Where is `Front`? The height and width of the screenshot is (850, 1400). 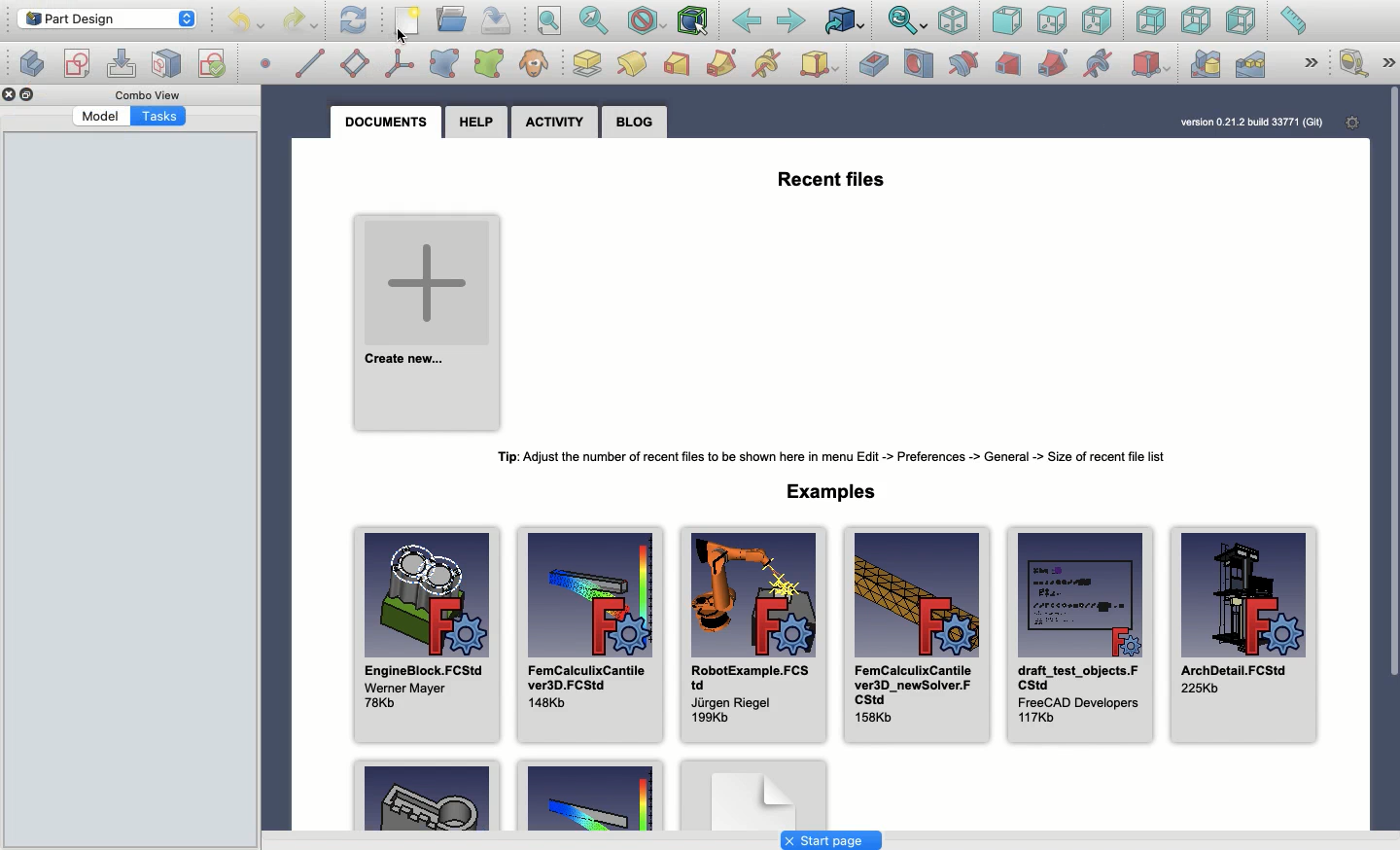
Front is located at coordinates (1007, 22).